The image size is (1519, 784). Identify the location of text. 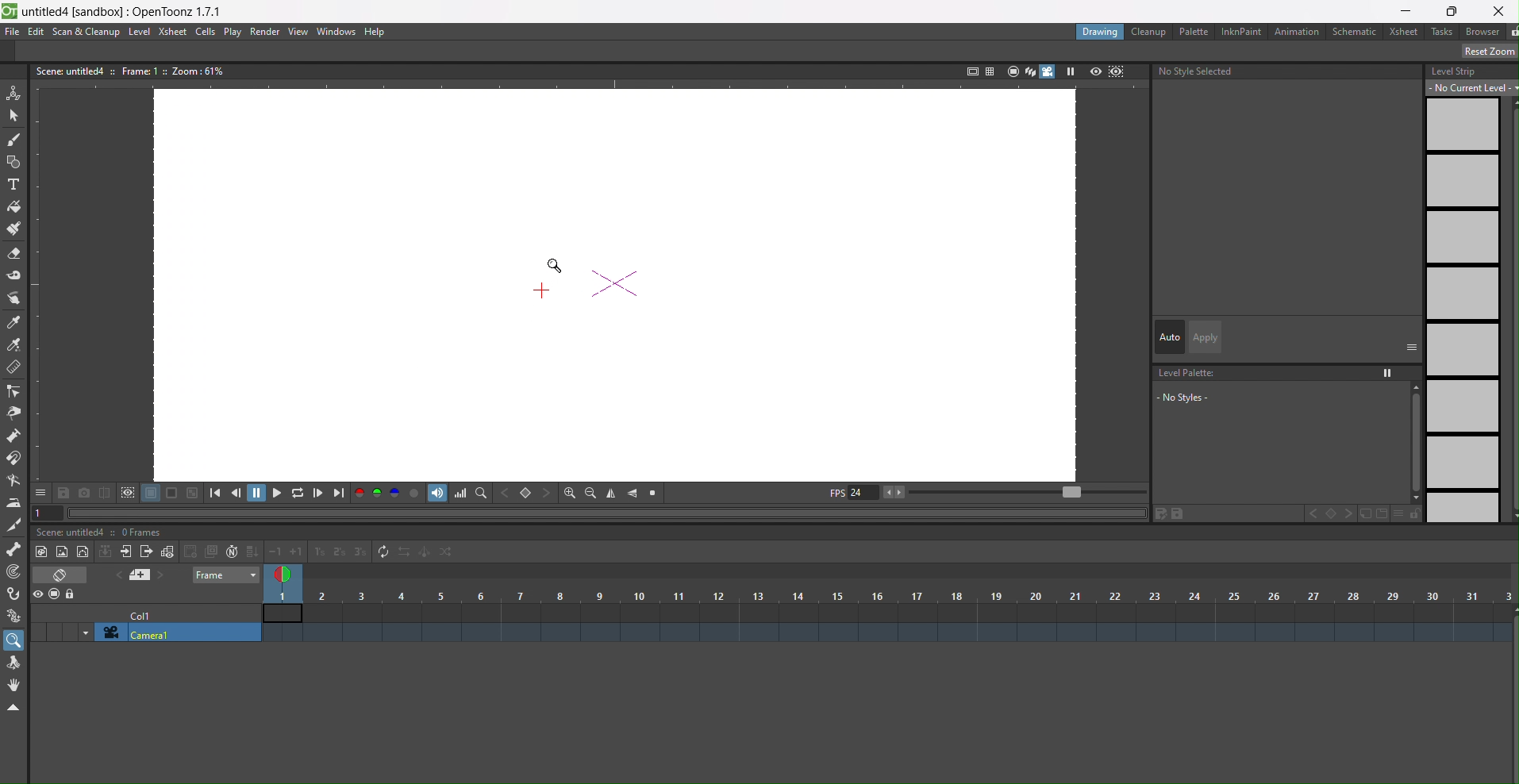
(102, 532).